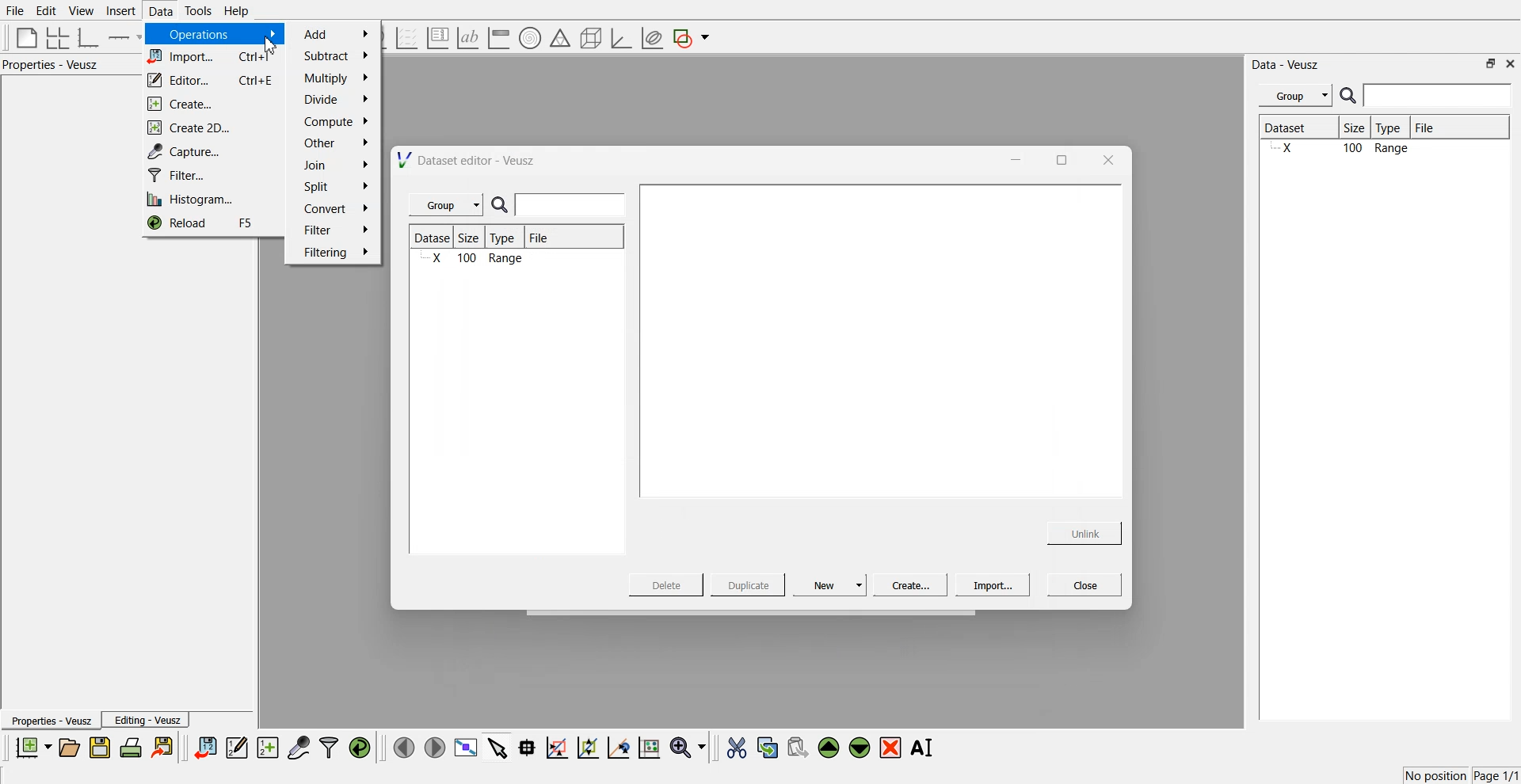 This screenshot has width=1521, height=784. What do you see at coordinates (474, 238) in the screenshot?
I see `Size` at bounding box center [474, 238].